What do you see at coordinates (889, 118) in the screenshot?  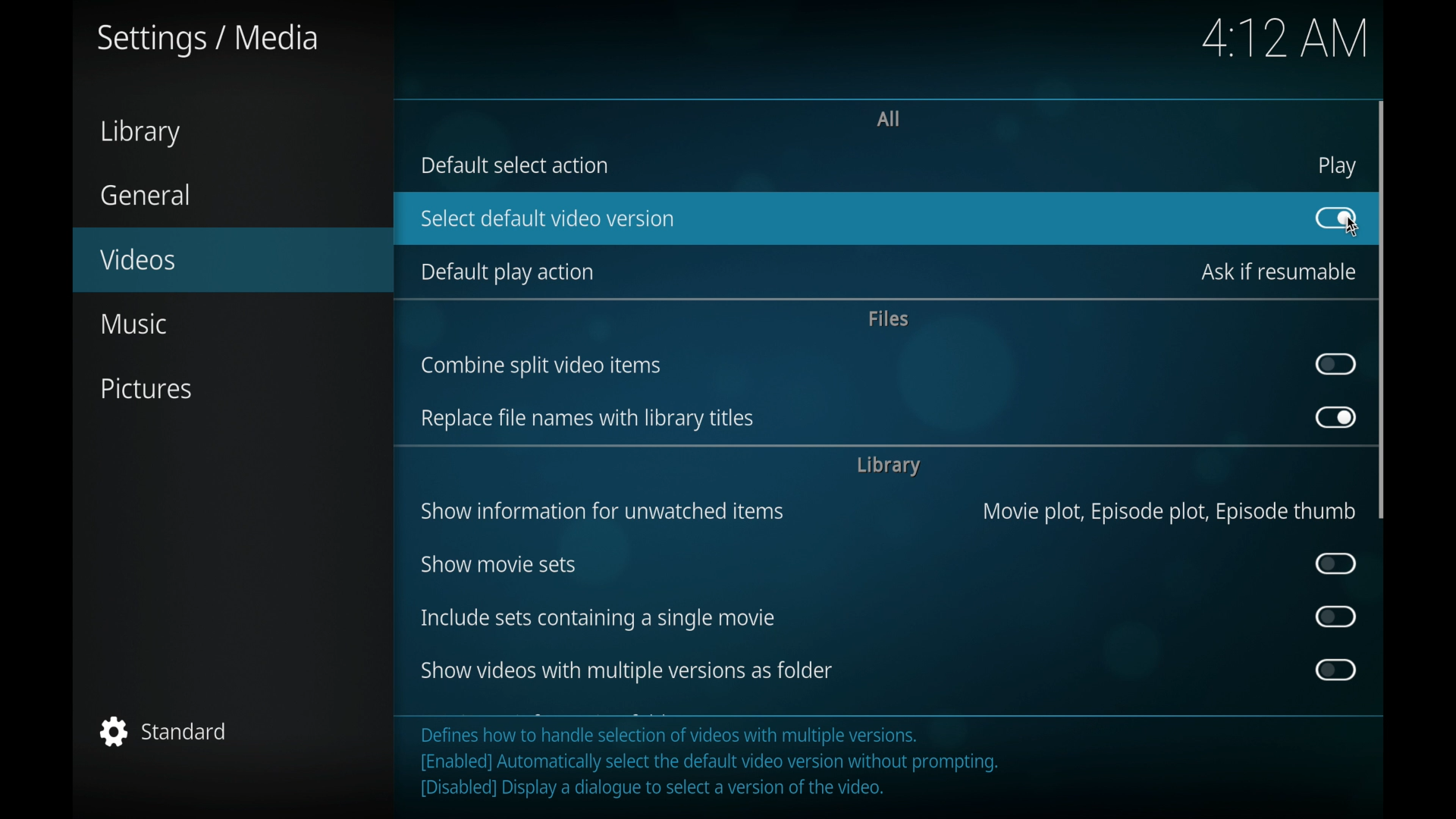 I see `all` at bounding box center [889, 118].